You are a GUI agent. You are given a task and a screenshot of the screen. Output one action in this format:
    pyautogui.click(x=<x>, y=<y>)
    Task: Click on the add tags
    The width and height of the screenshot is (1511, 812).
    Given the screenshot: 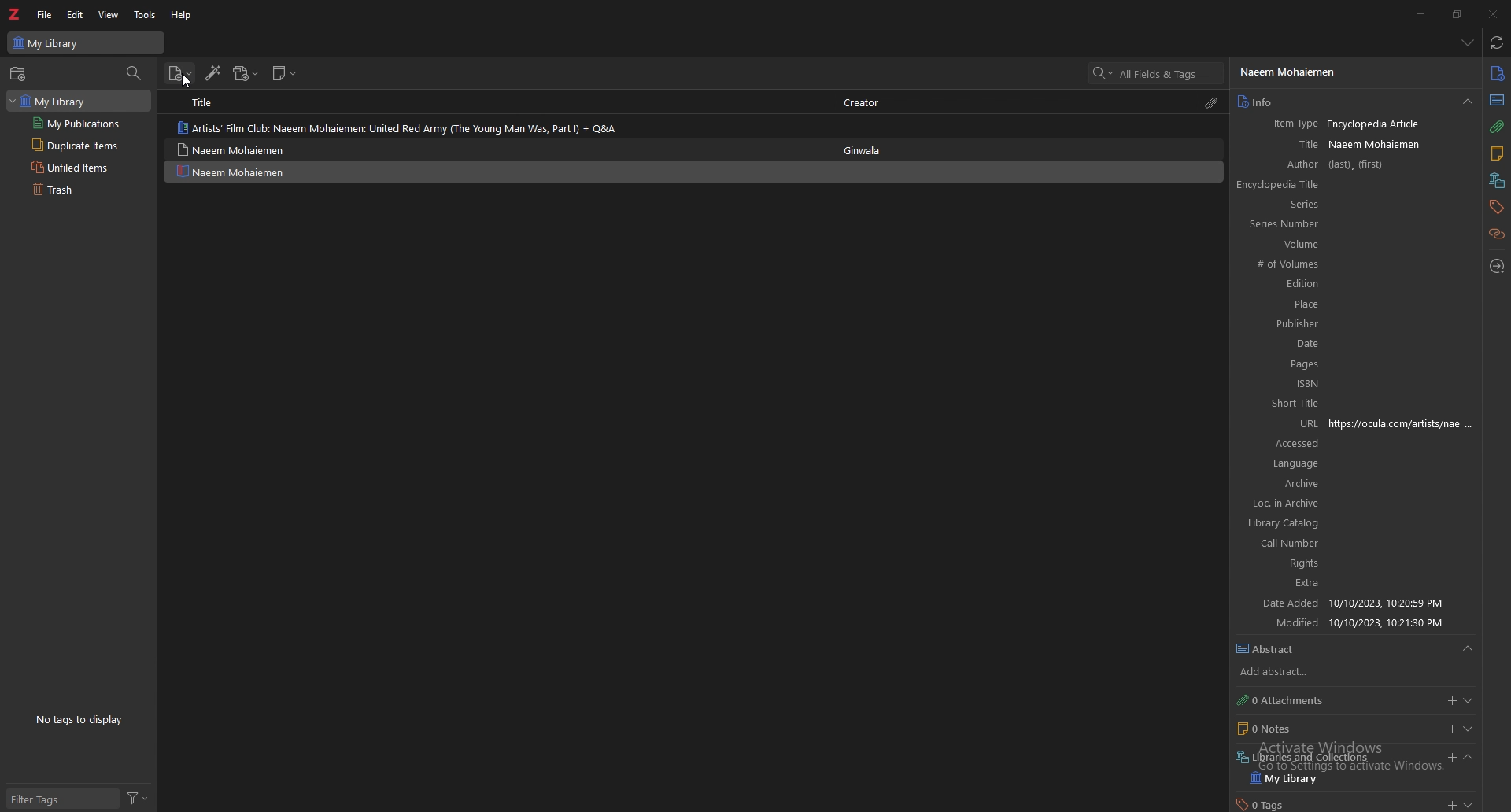 What is the action you would take?
    pyautogui.click(x=1450, y=803)
    